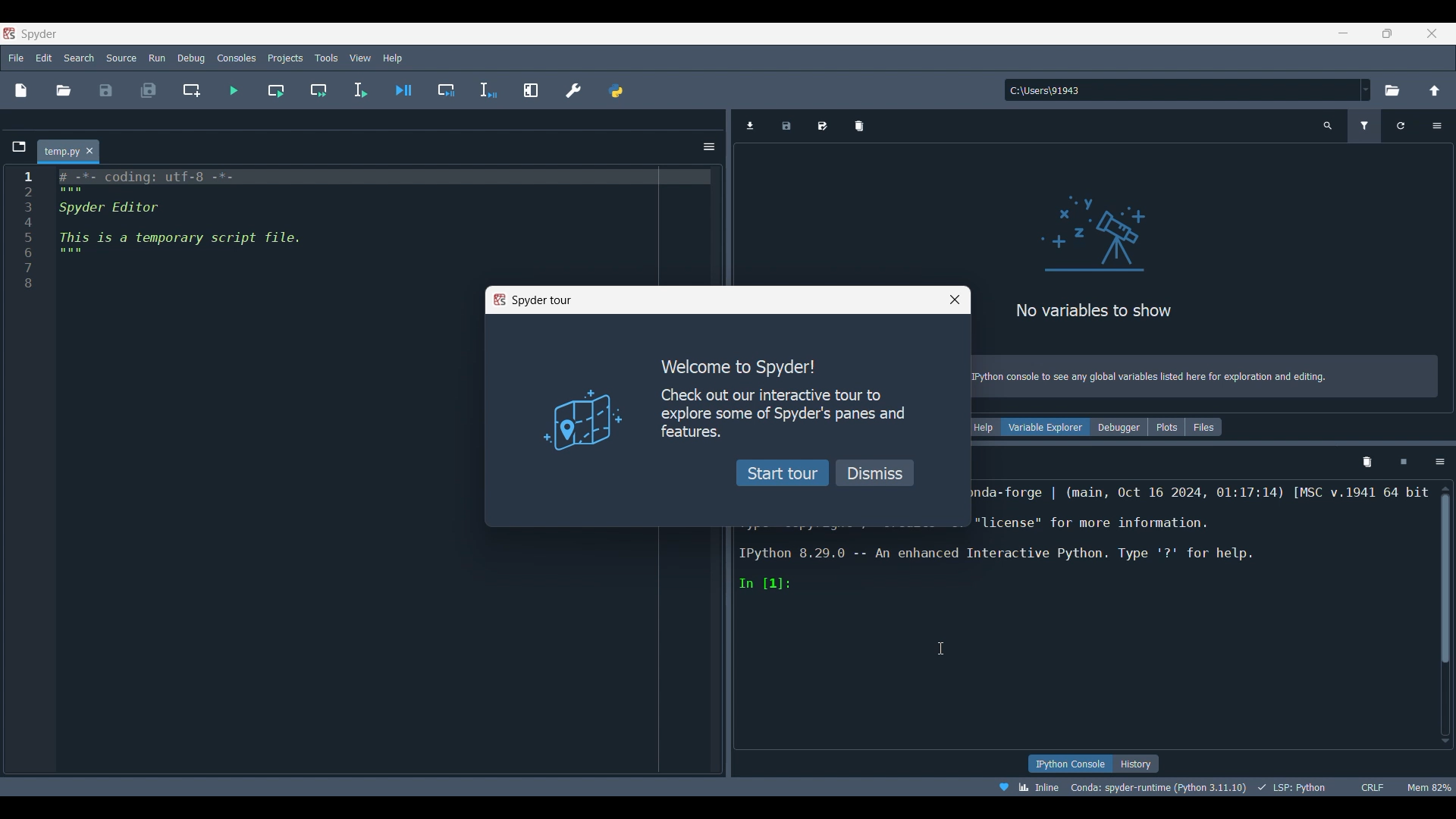 This screenshot has height=819, width=1456. Describe the element at coordinates (1375, 786) in the screenshot. I see `CRLF` at that location.